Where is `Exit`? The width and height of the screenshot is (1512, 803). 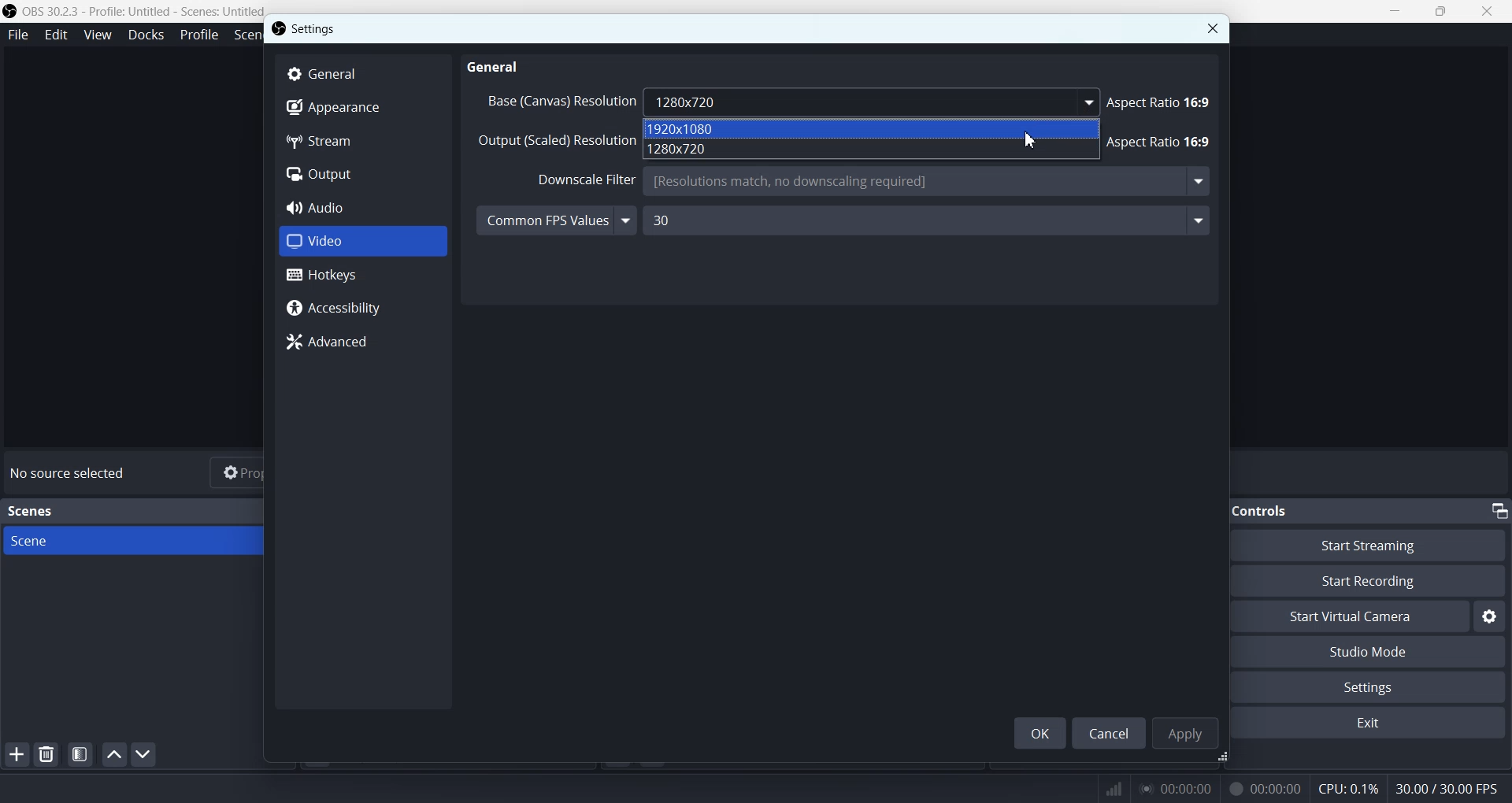
Exit is located at coordinates (1374, 724).